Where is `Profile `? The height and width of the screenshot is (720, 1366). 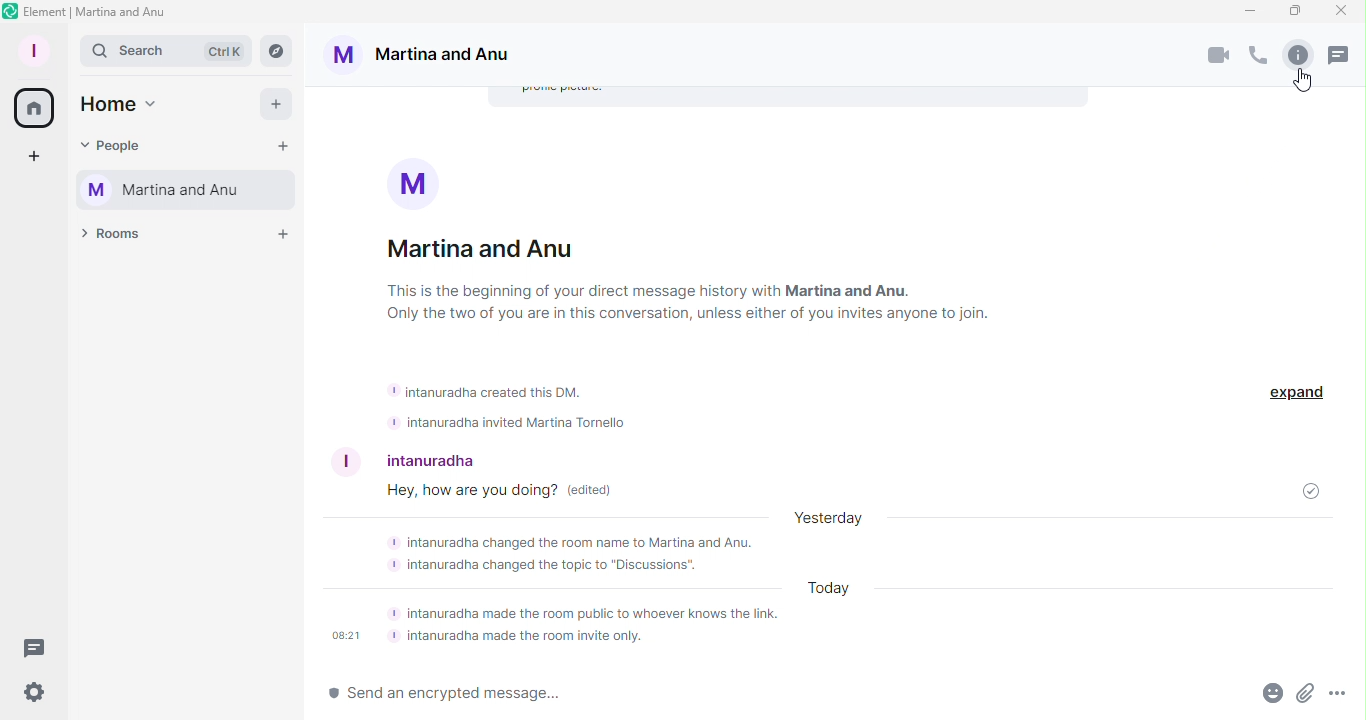 Profile  is located at coordinates (33, 47).